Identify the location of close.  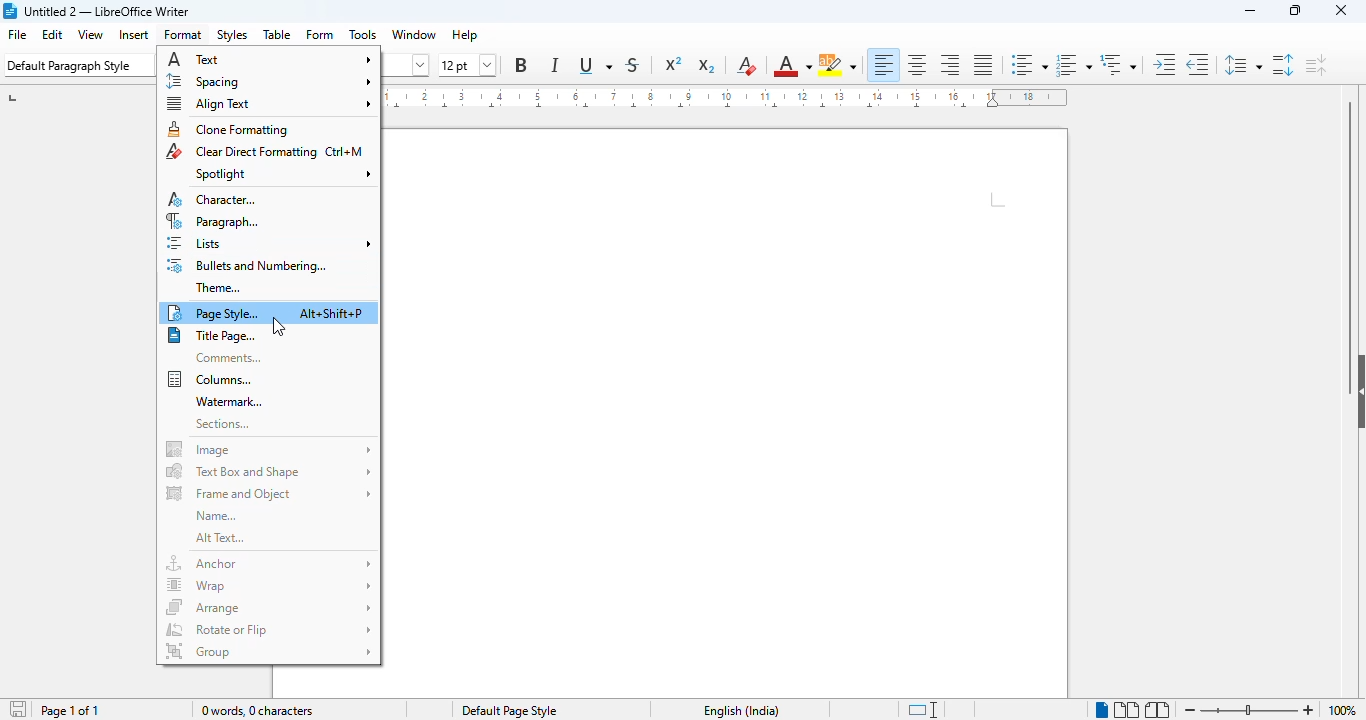
(1340, 10).